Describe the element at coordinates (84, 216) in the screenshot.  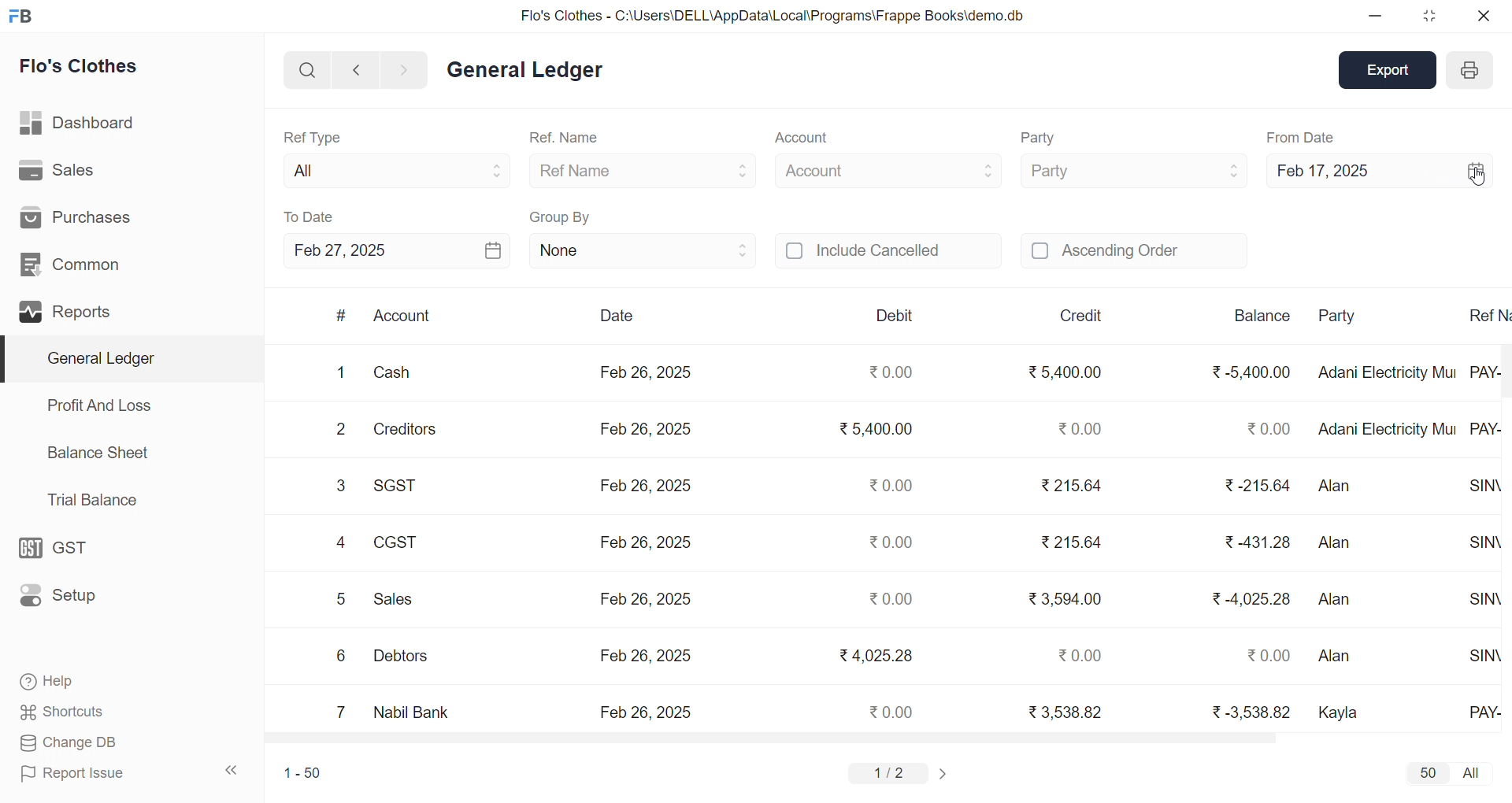
I see `Purchases` at that location.